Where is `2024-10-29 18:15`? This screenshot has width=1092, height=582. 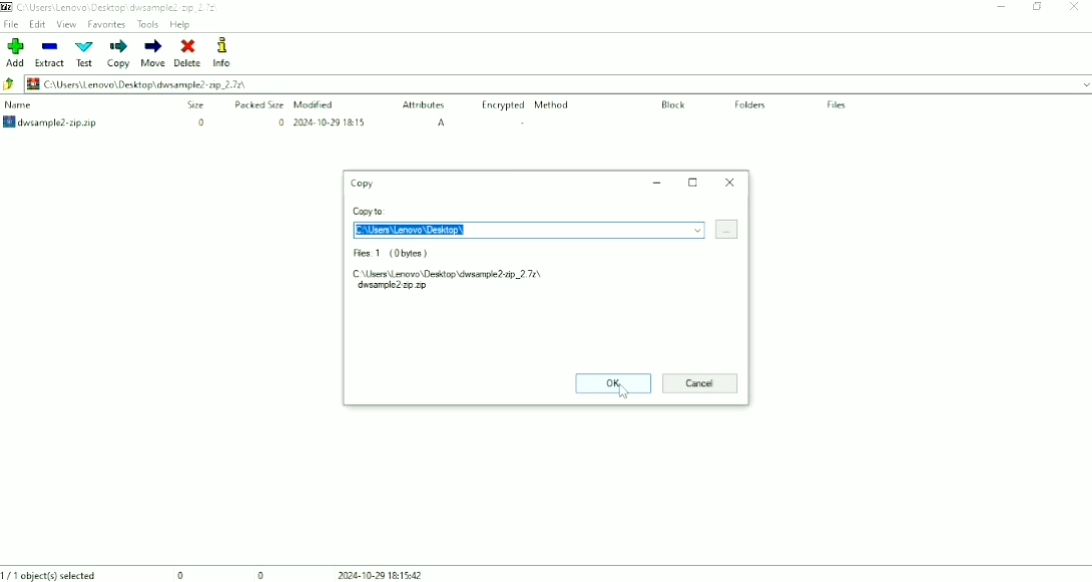 2024-10-29 18:15 is located at coordinates (330, 122).